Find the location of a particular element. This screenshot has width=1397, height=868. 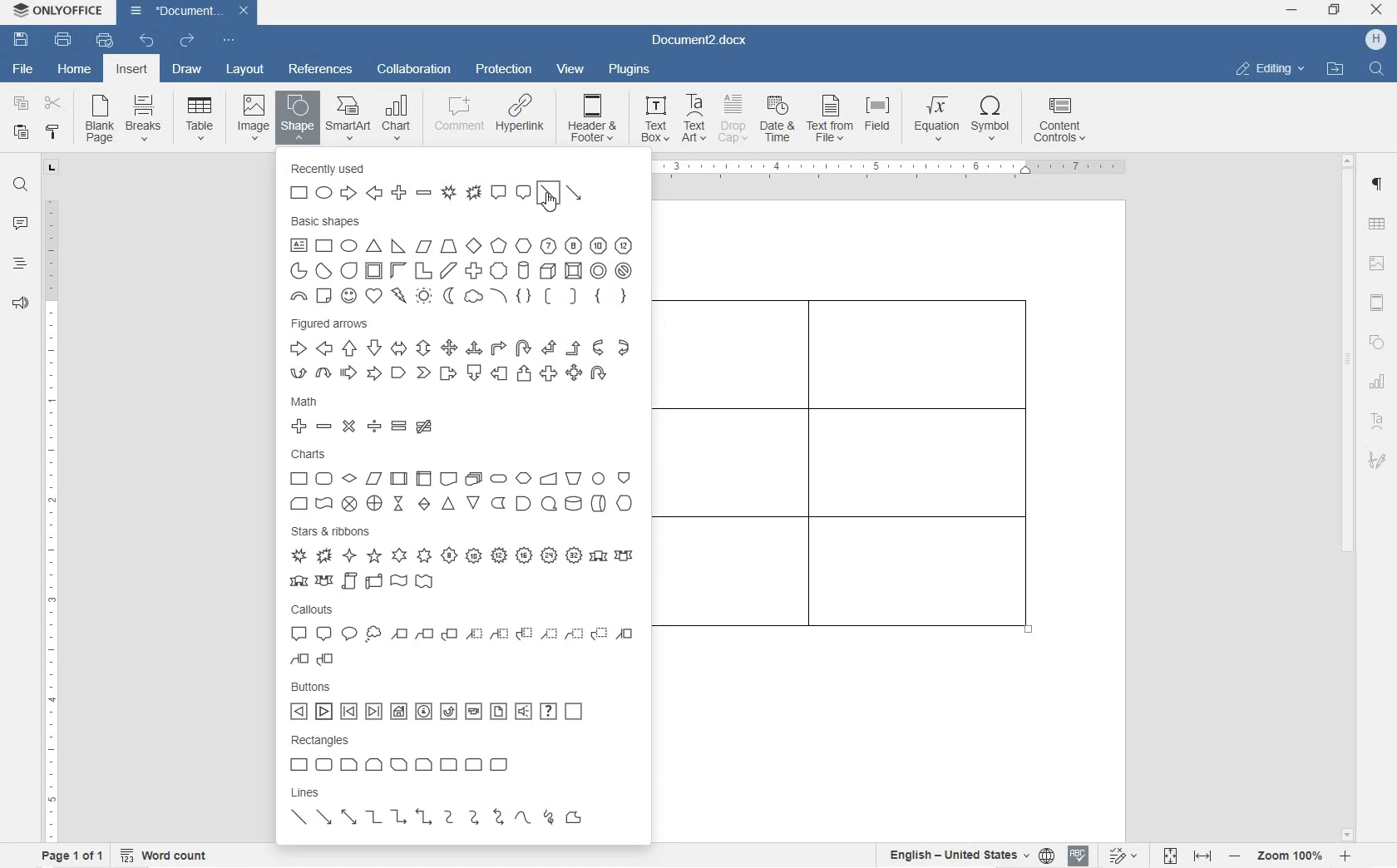

print is located at coordinates (64, 39).